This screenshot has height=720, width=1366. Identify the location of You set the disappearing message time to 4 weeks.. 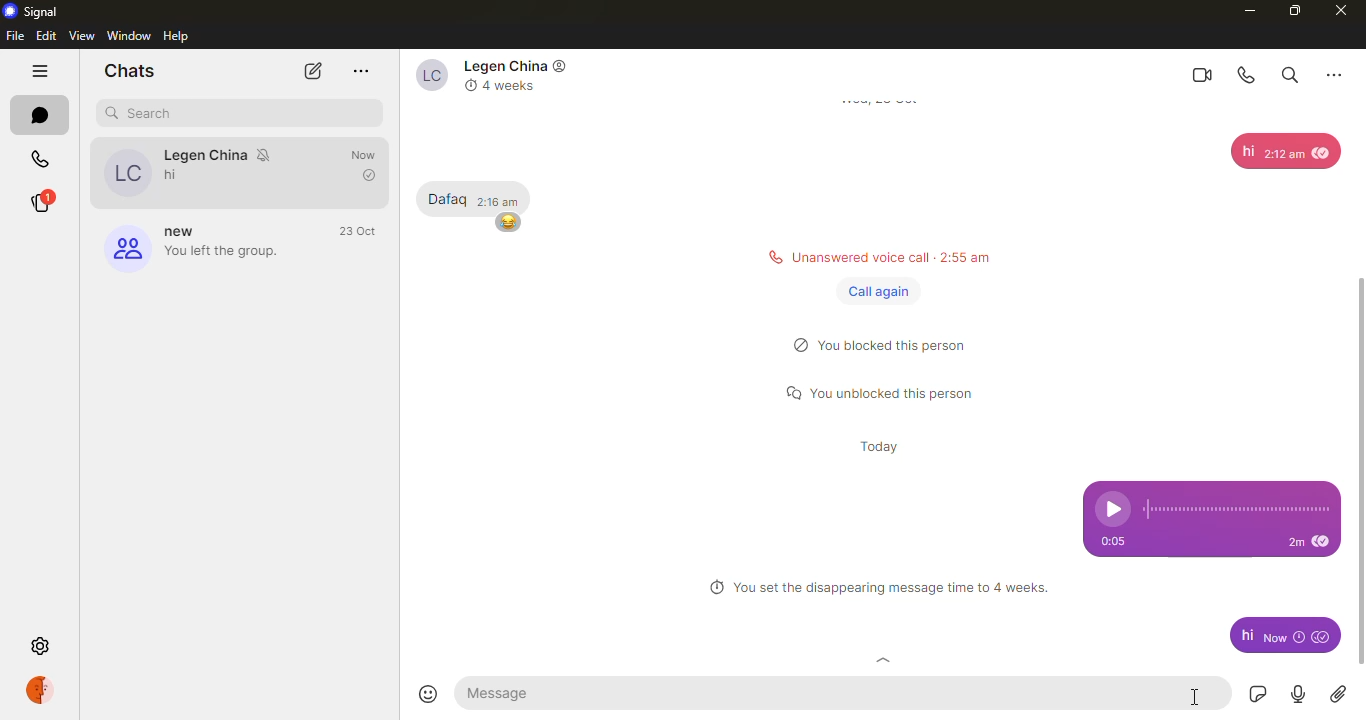
(878, 589).